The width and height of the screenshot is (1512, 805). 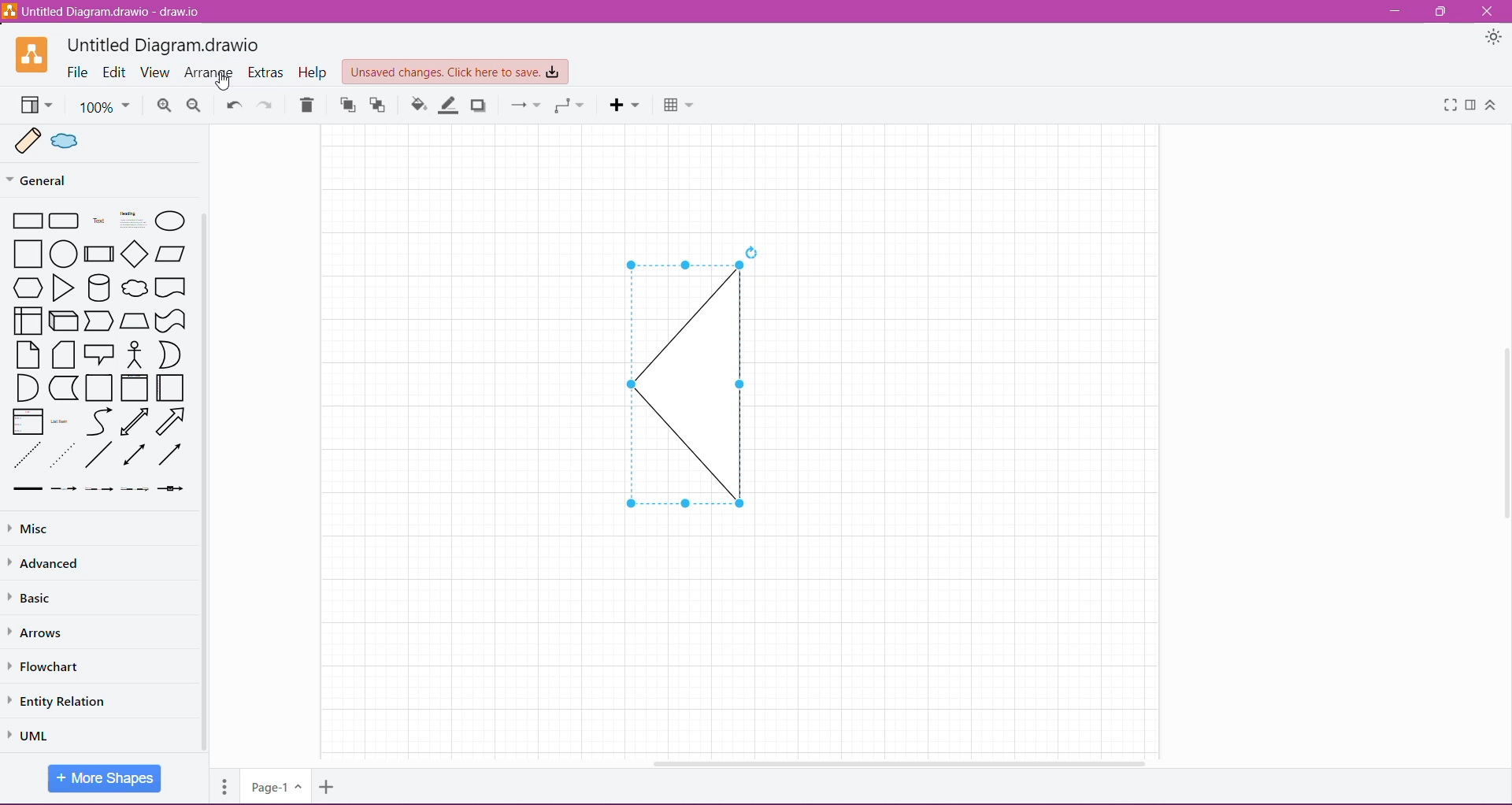 I want to click on More Shapes, so click(x=106, y=778).